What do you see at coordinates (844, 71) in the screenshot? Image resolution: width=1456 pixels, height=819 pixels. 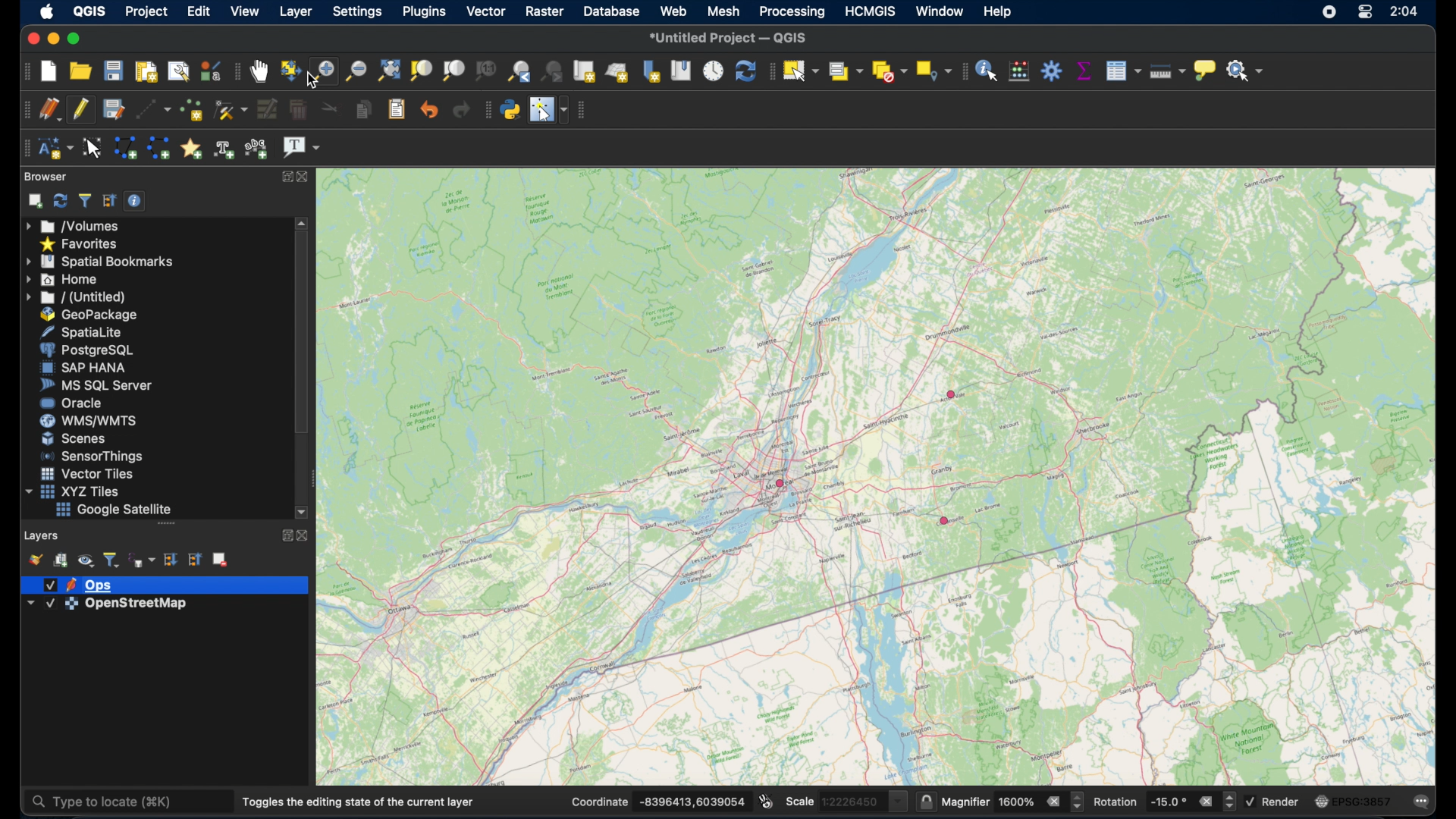 I see `select features by value` at bounding box center [844, 71].